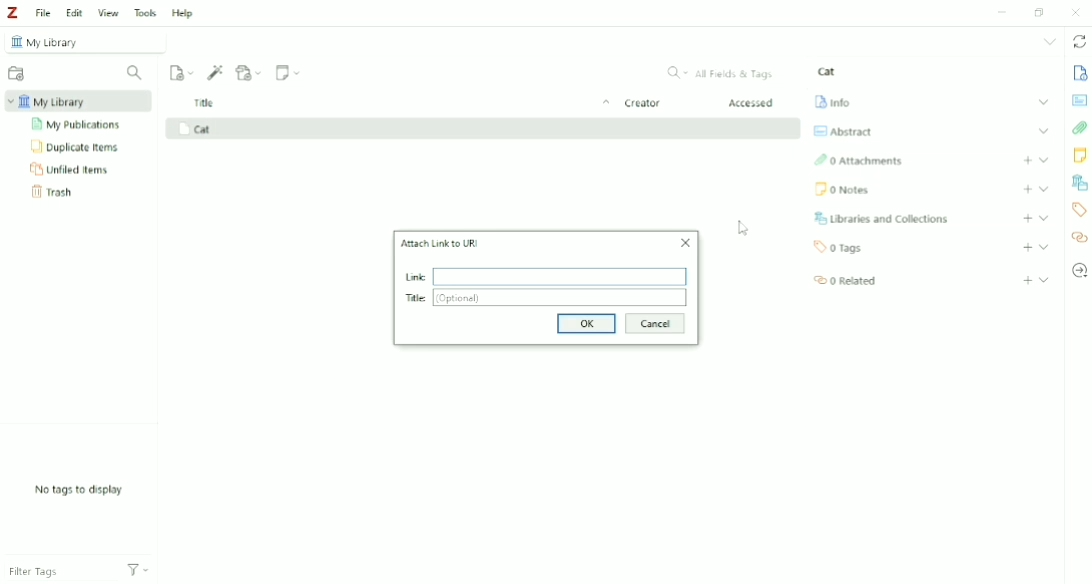  What do you see at coordinates (216, 72) in the screenshot?
I see `Add Item (s) by Identifier` at bounding box center [216, 72].